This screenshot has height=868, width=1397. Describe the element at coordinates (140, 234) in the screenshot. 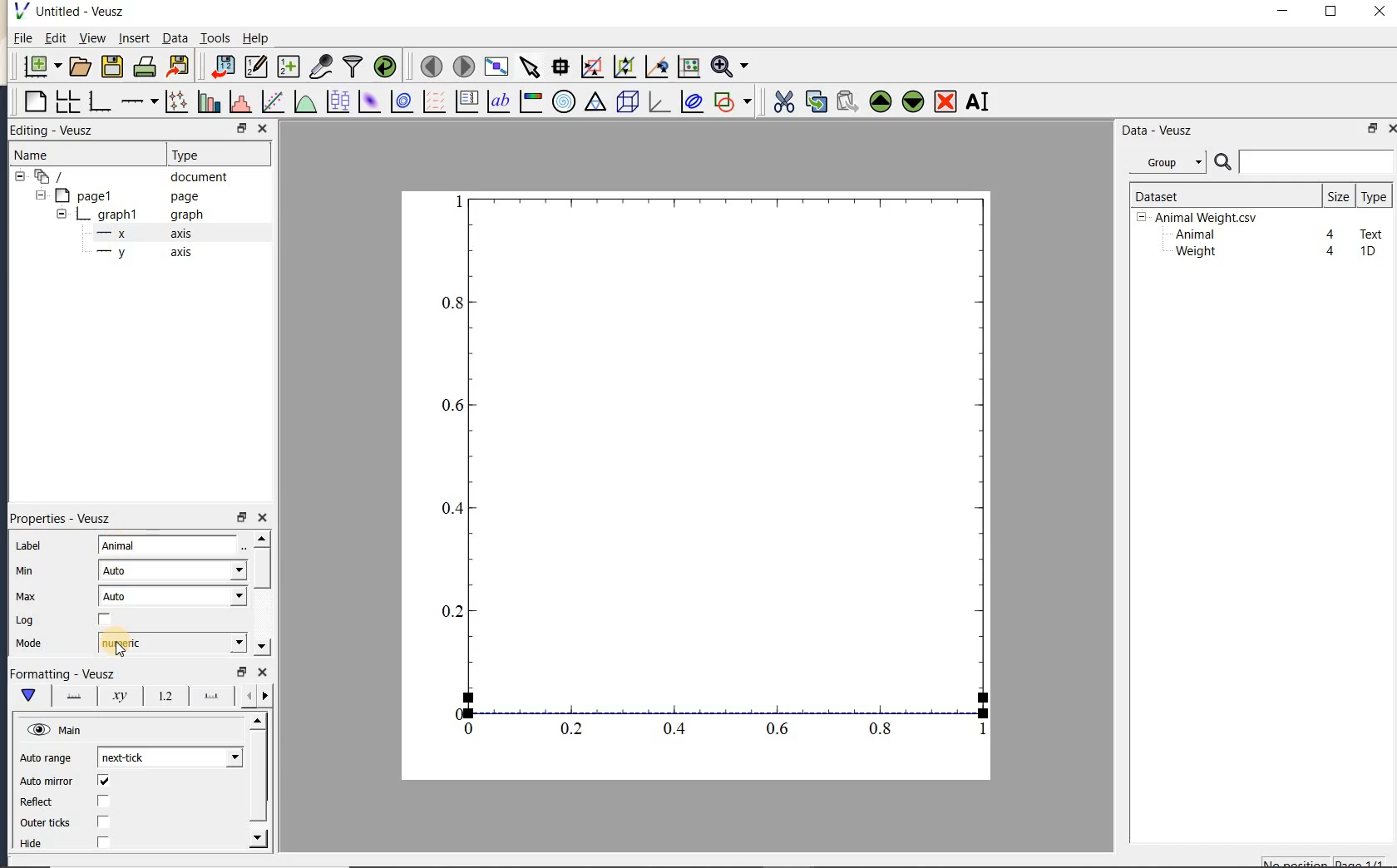

I see `axis` at that location.